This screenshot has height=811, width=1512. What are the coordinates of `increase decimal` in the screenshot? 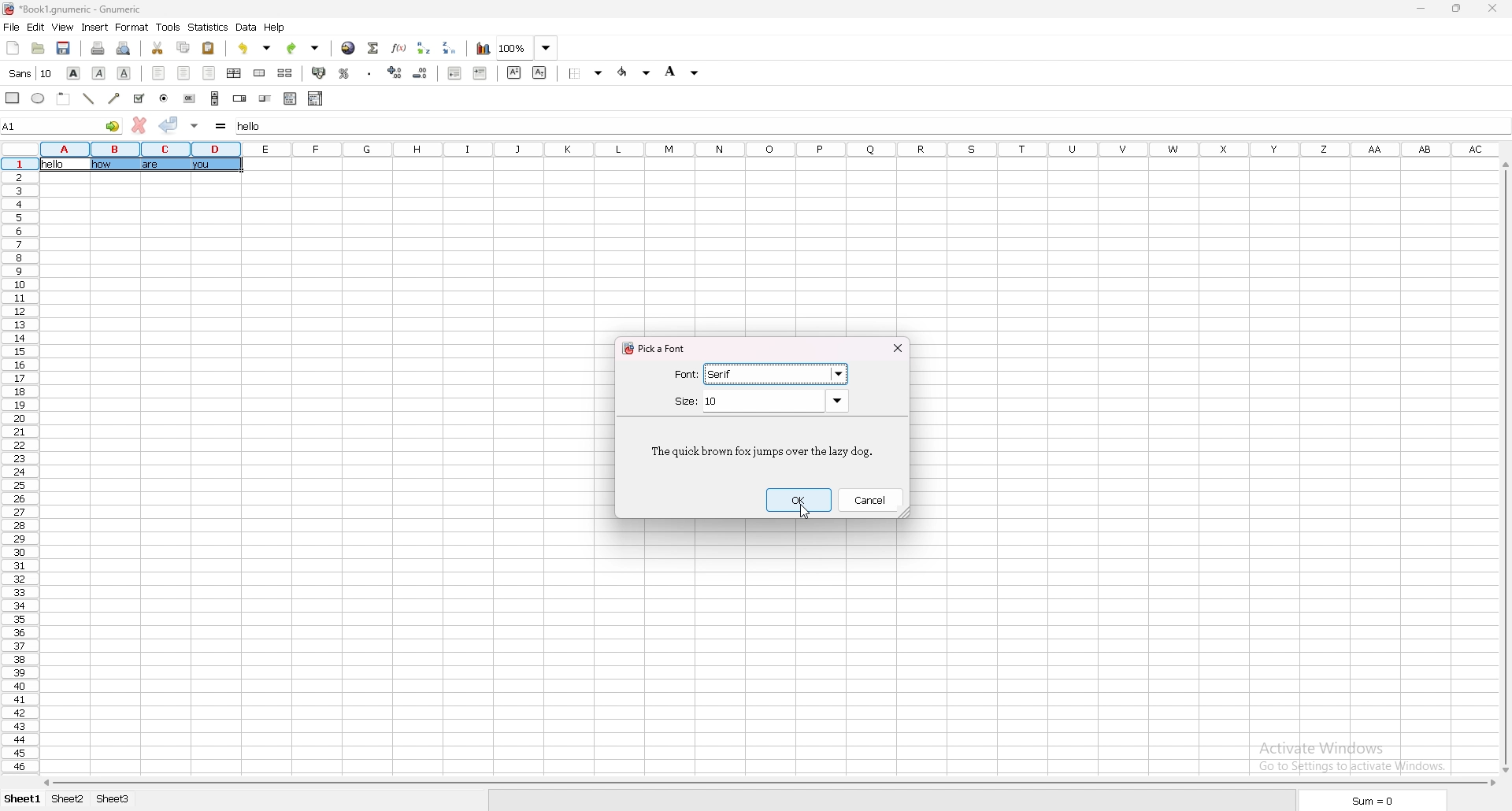 It's located at (396, 72).